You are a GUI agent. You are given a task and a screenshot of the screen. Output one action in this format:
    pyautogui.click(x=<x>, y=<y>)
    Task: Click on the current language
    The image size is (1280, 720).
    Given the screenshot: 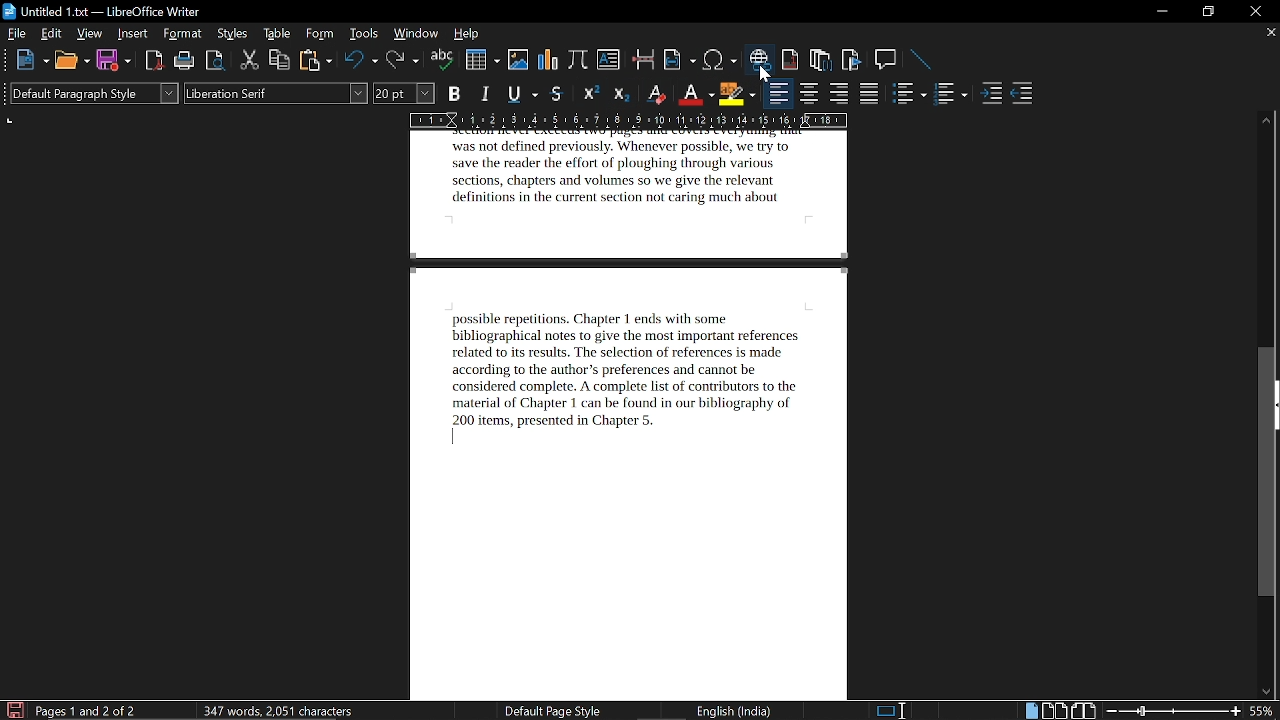 What is the action you would take?
    pyautogui.click(x=732, y=711)
    